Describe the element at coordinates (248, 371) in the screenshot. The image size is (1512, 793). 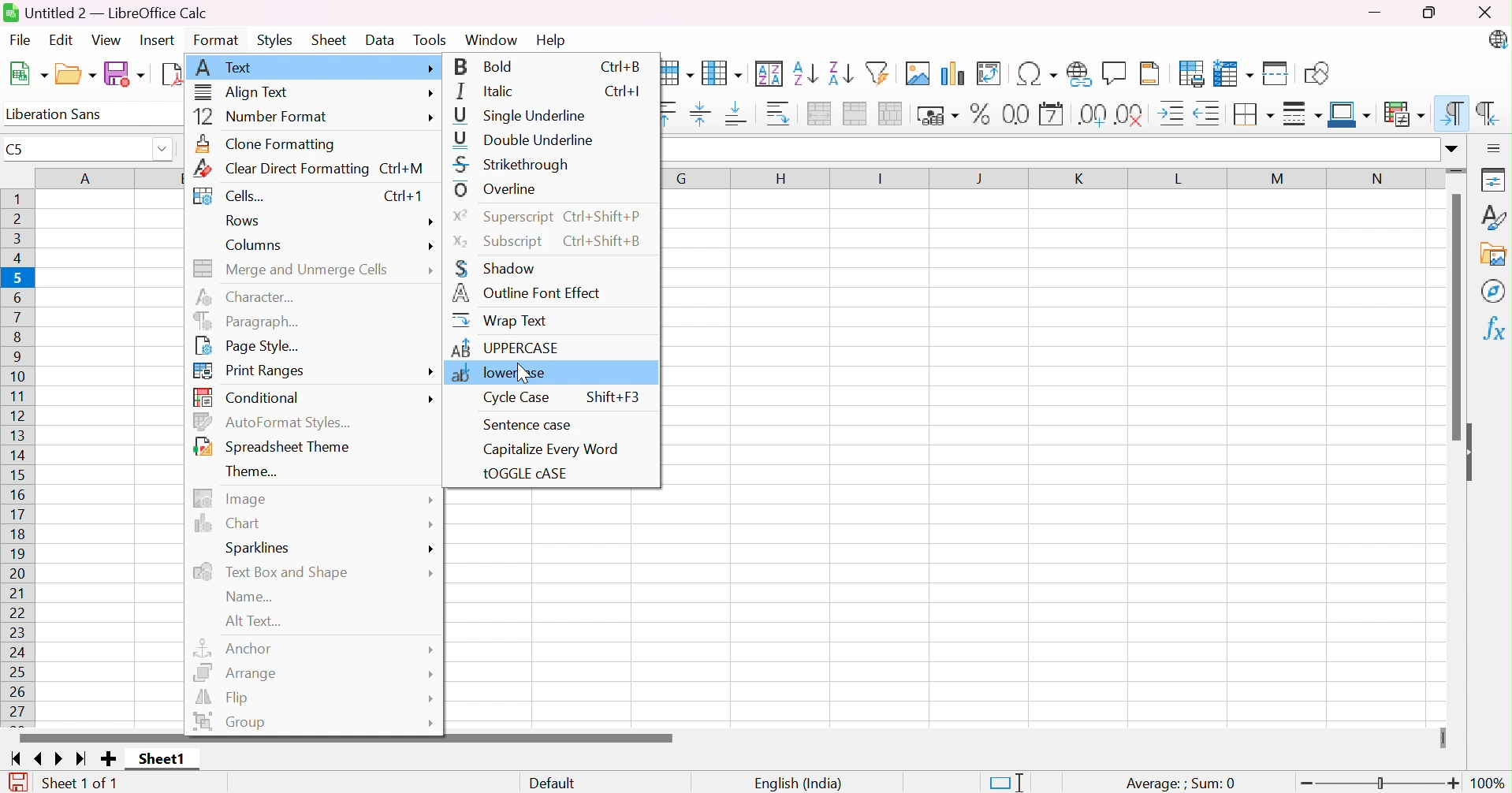
I see `Print Ranges` at that location.